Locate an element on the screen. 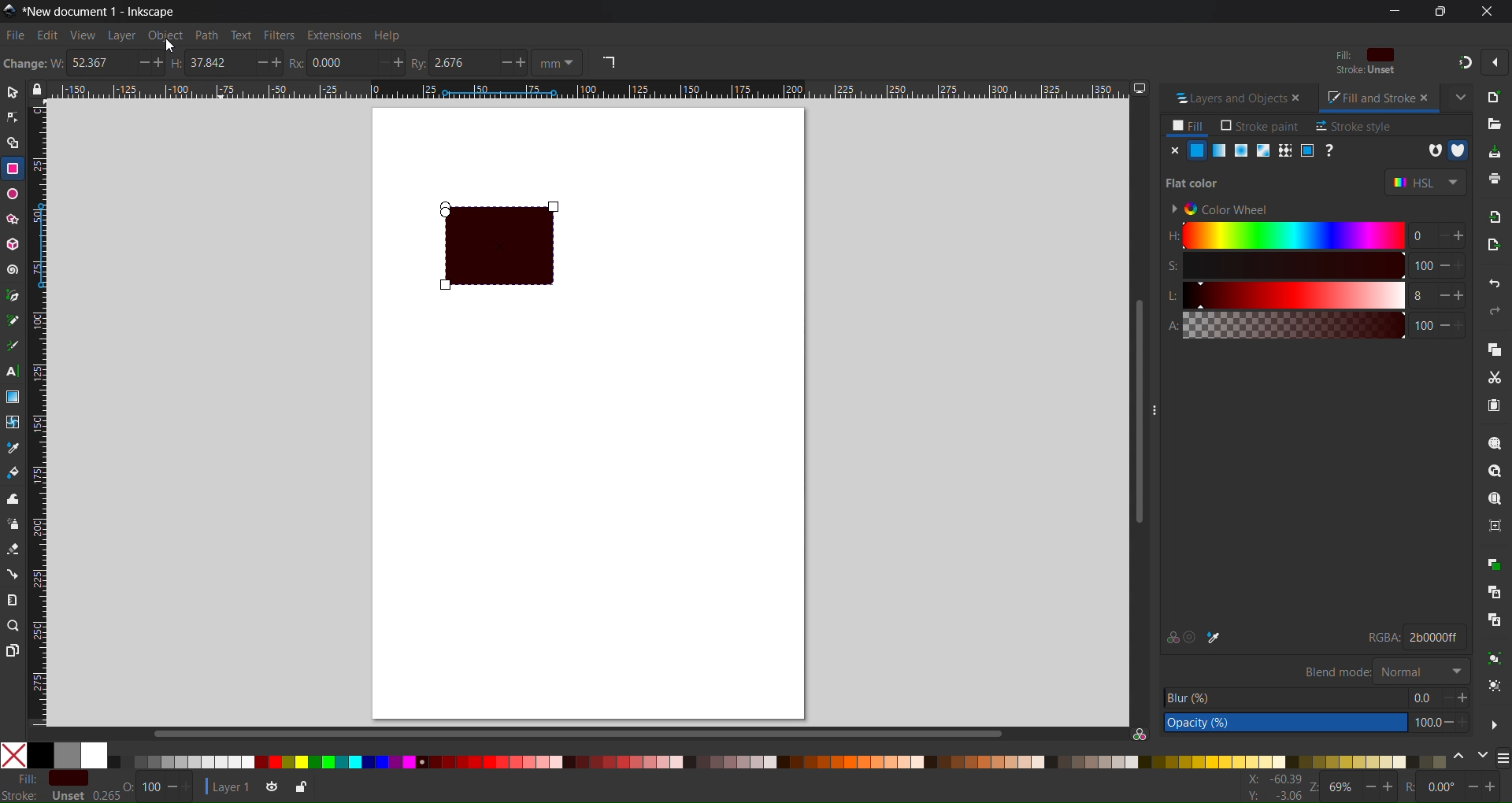 This screenshot has width=1512, height=803. Color layer is located at coordinates (779, 761).